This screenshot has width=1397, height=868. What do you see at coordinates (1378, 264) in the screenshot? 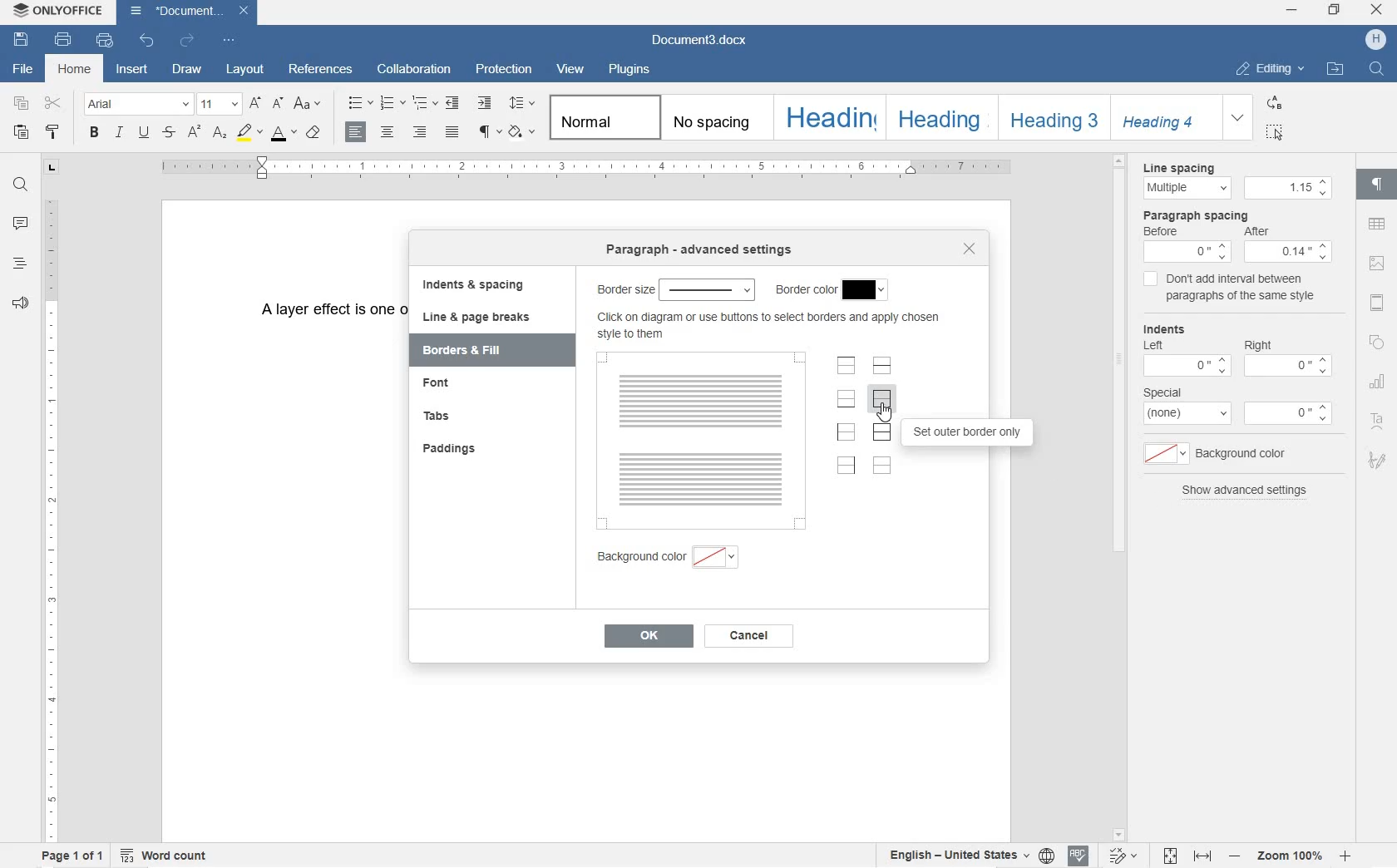
I see `IMAGE` at bounding box center [1378, 264].